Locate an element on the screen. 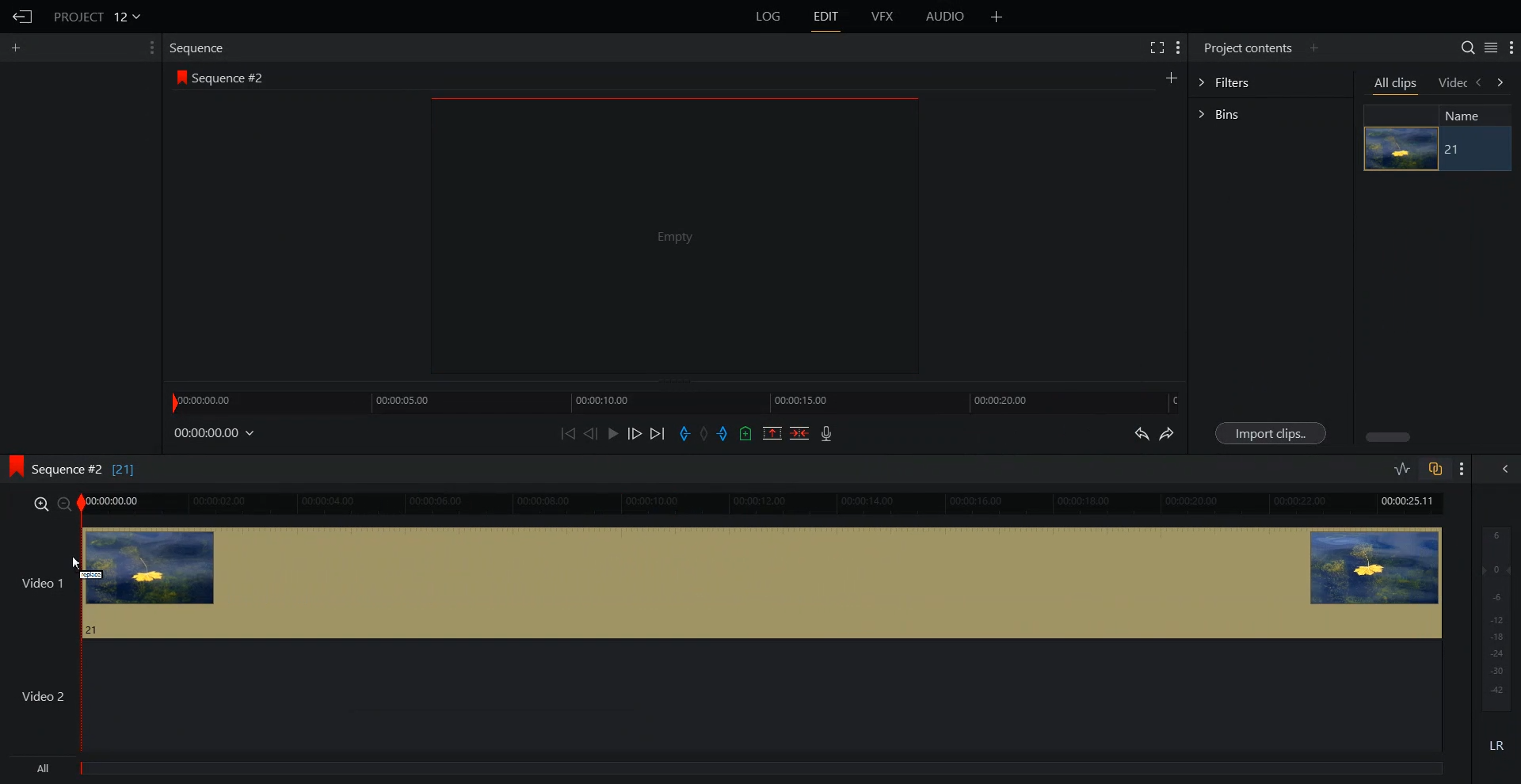 This screenshot has width=1521, height=784. Filters is located at coordinates (1270, 81).